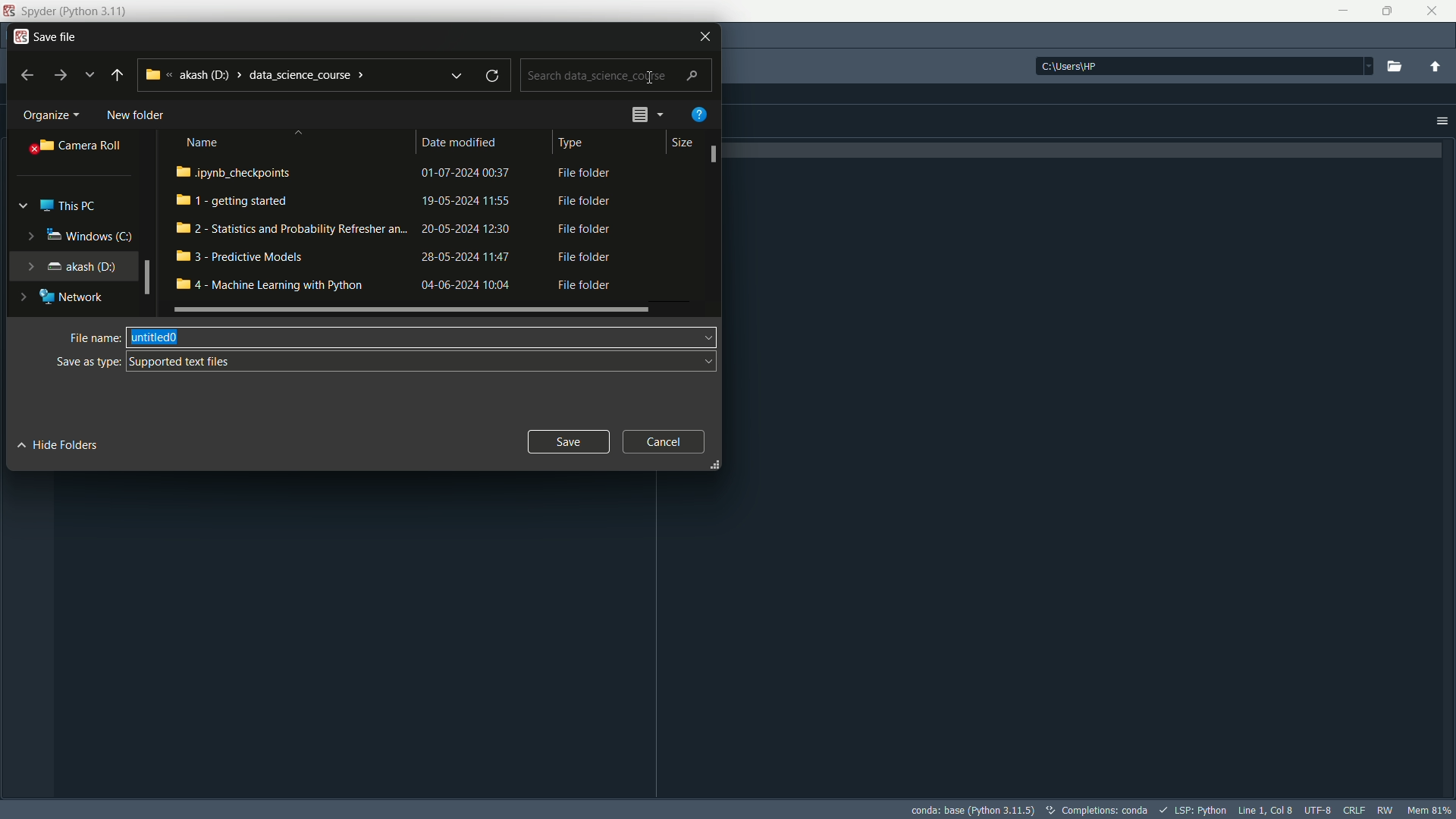 This screenshot has height=819, width=1456. What do you see at coordinates (27, 75) in the screenshot?
I see `backward` at bounding box center [27, 75].